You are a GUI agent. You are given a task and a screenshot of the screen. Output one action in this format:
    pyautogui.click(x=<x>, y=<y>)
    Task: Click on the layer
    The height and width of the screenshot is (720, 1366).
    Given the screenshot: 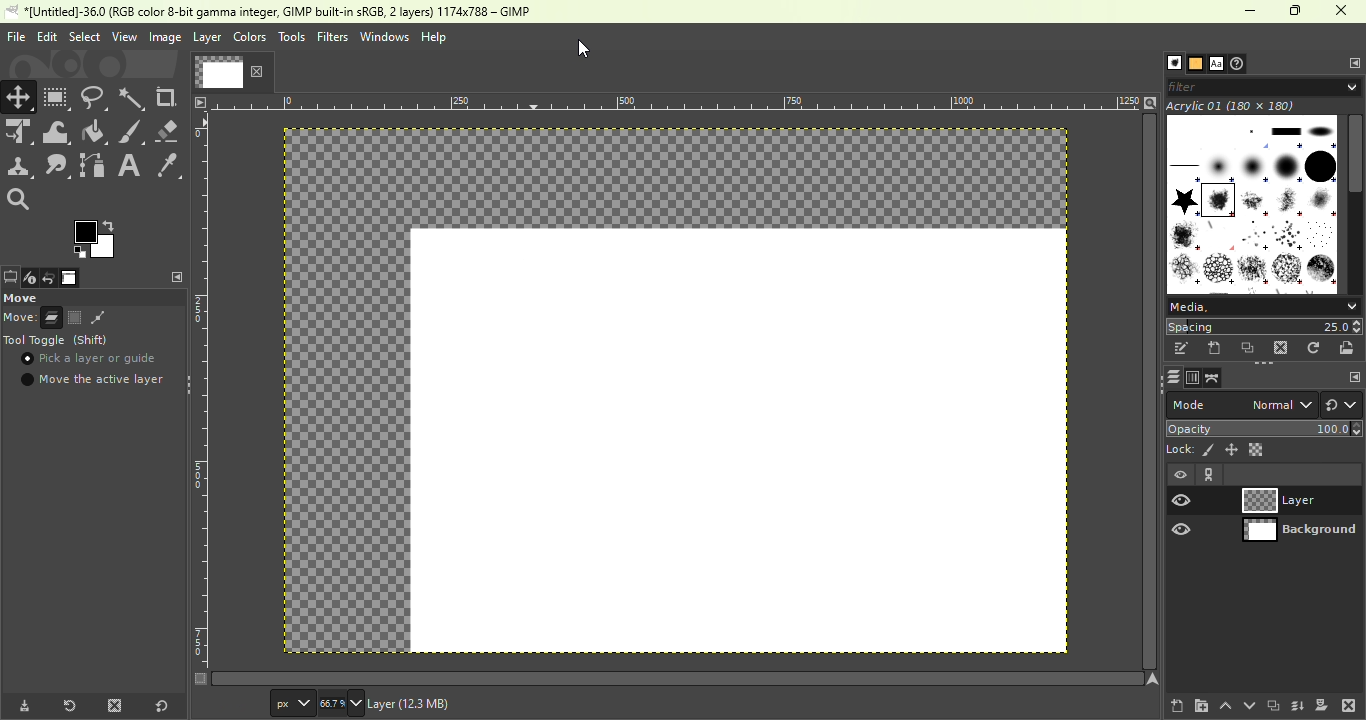 What is the action you would take?
    pyautogui.click(x=451, y=706)
    